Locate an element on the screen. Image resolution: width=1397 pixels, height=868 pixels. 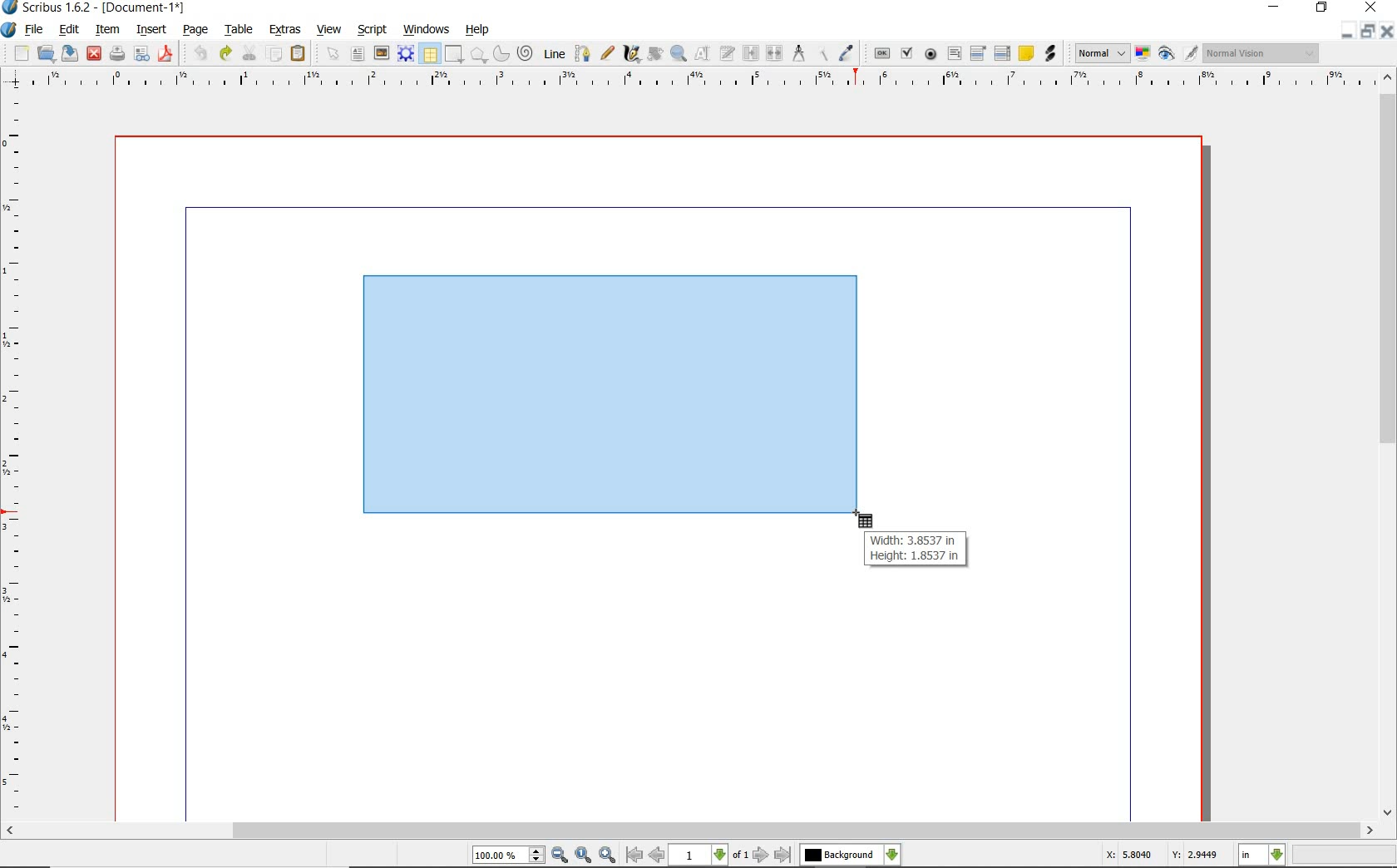
pdf combo box is located at coordinates (980, 54).